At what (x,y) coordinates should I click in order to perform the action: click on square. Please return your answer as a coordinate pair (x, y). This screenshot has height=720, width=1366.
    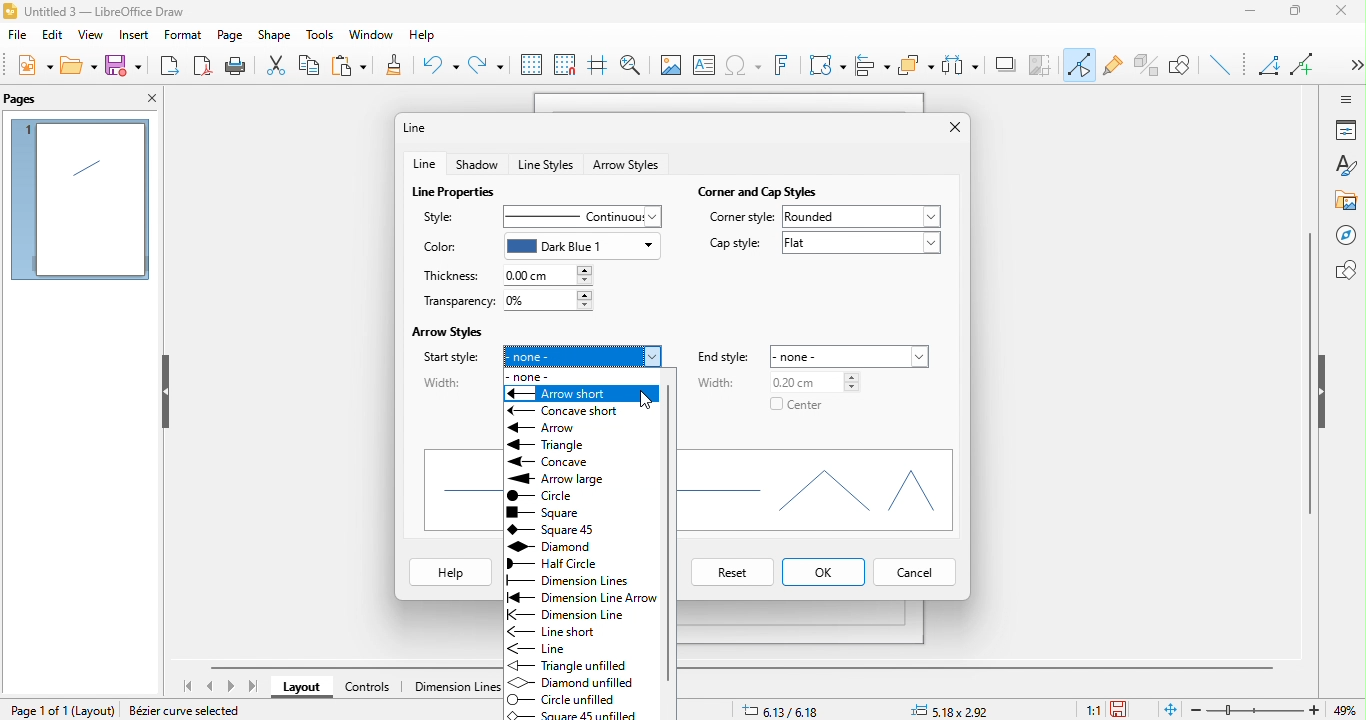
    Looking at the image, I should click on (556, 527).